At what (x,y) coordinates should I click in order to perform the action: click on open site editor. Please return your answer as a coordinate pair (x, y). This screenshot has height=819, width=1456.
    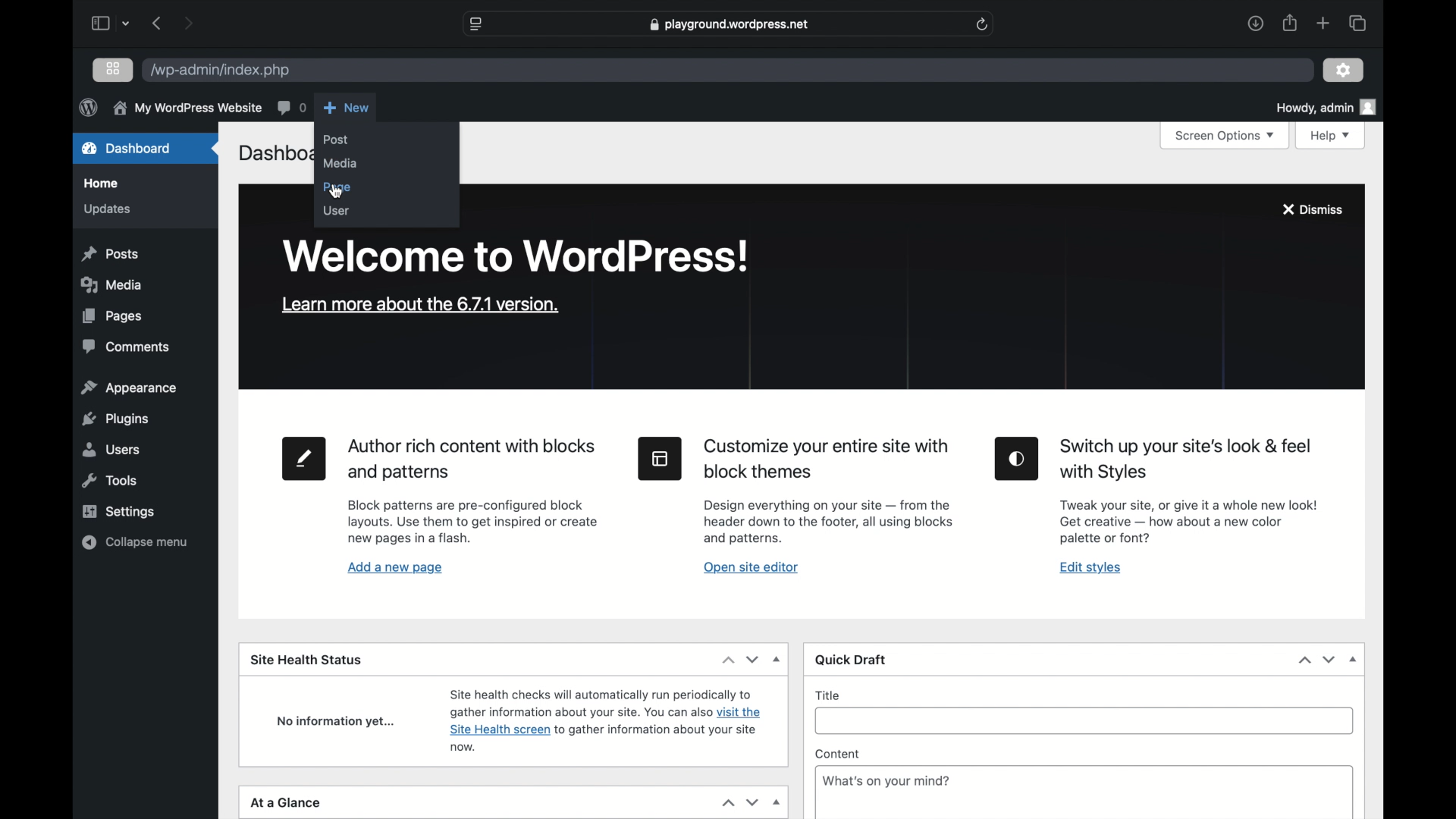
    Looking at the image, I should click on (752, 568).